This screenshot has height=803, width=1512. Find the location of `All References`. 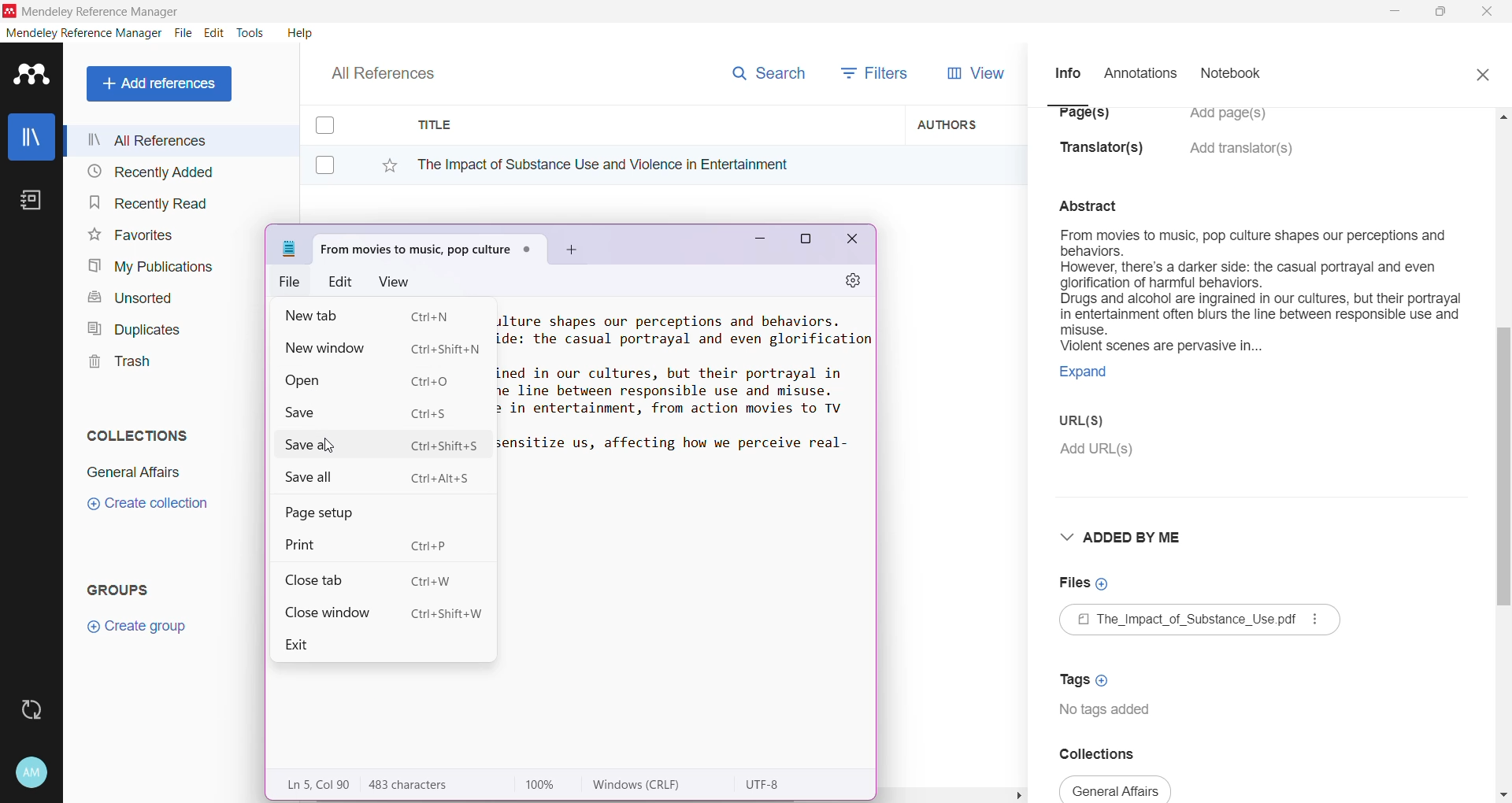

All References is located at coordinates (180, 140).